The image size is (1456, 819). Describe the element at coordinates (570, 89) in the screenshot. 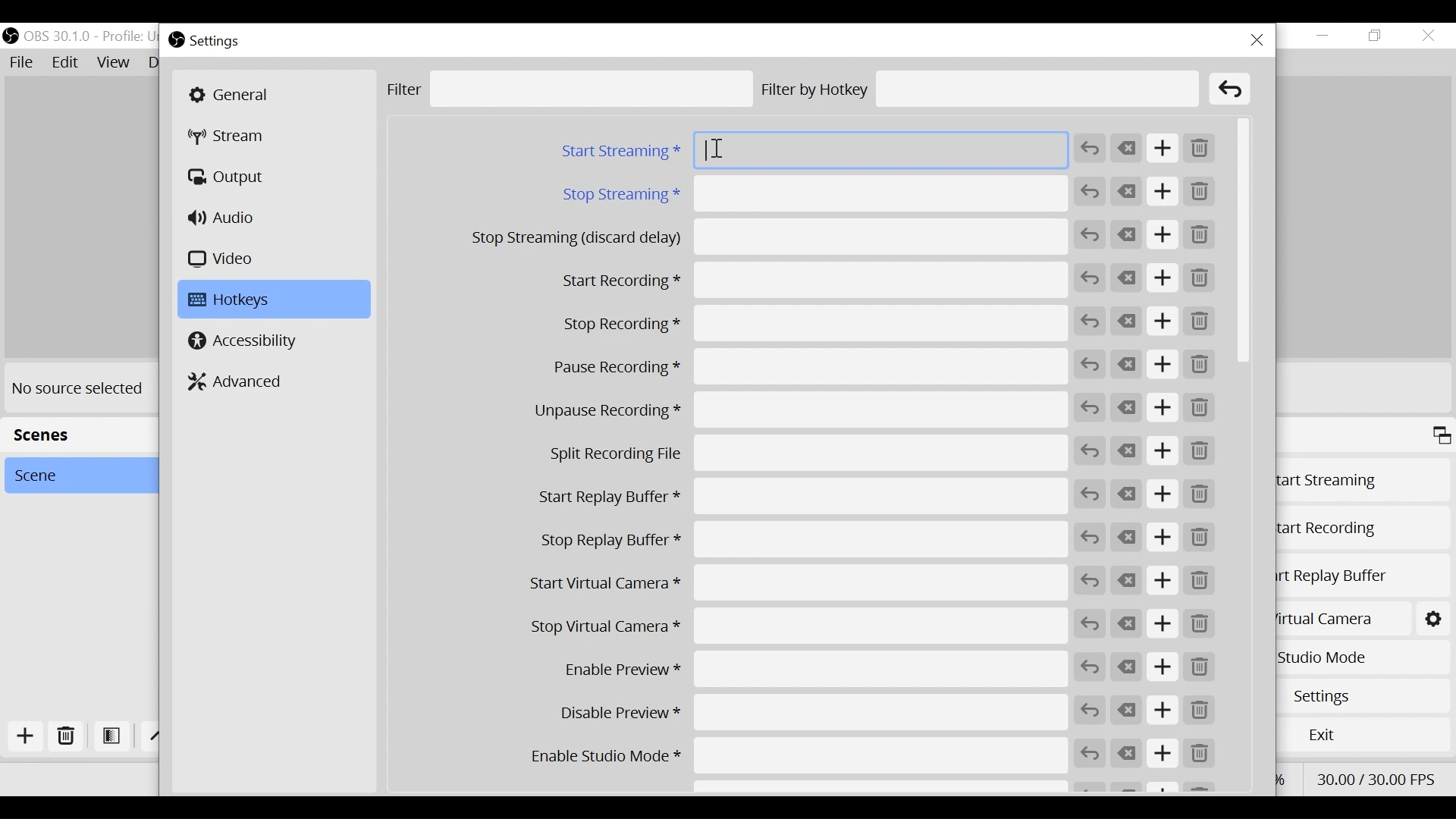

I see `Filter` at that location.